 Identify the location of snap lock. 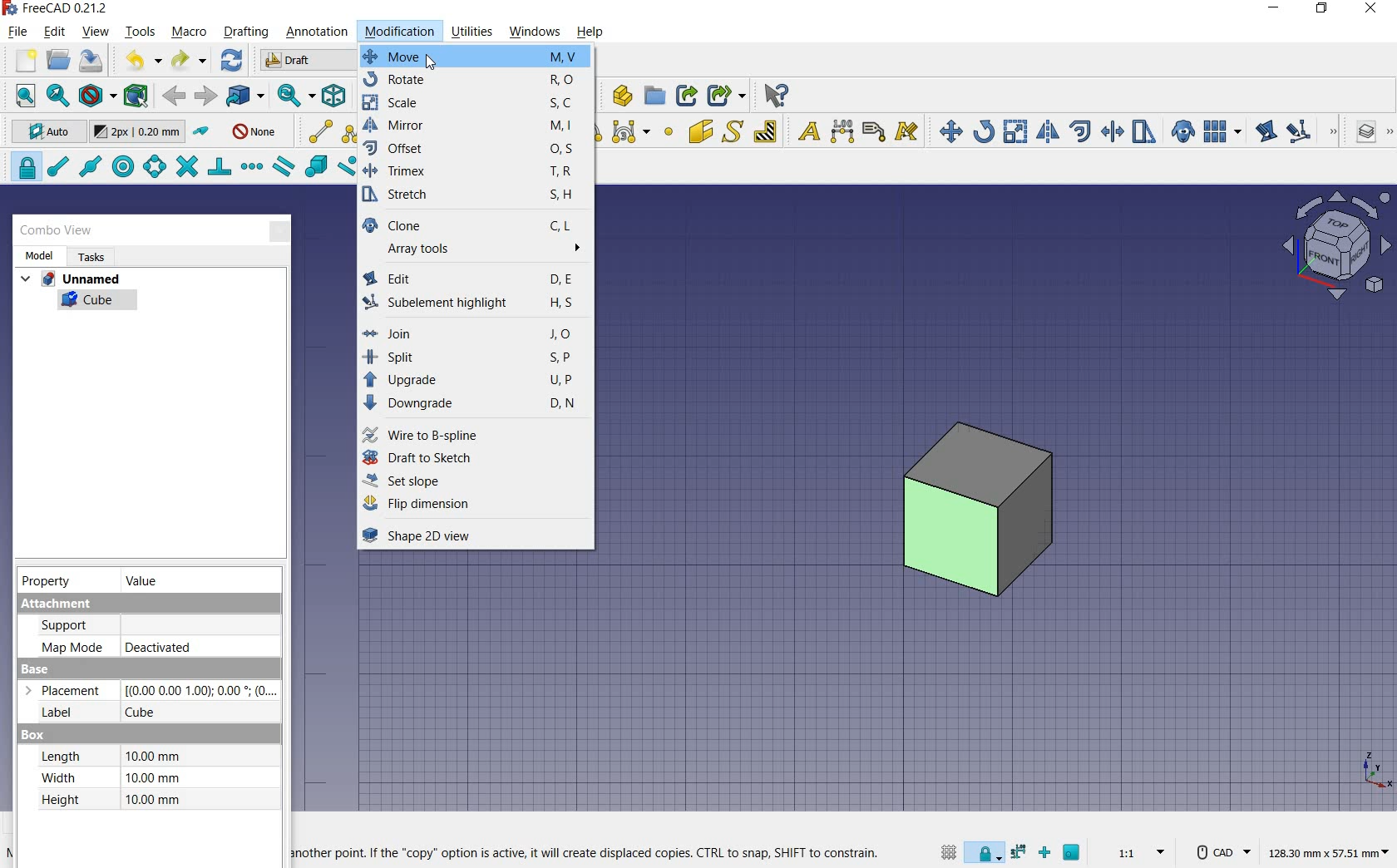
(22, 167).